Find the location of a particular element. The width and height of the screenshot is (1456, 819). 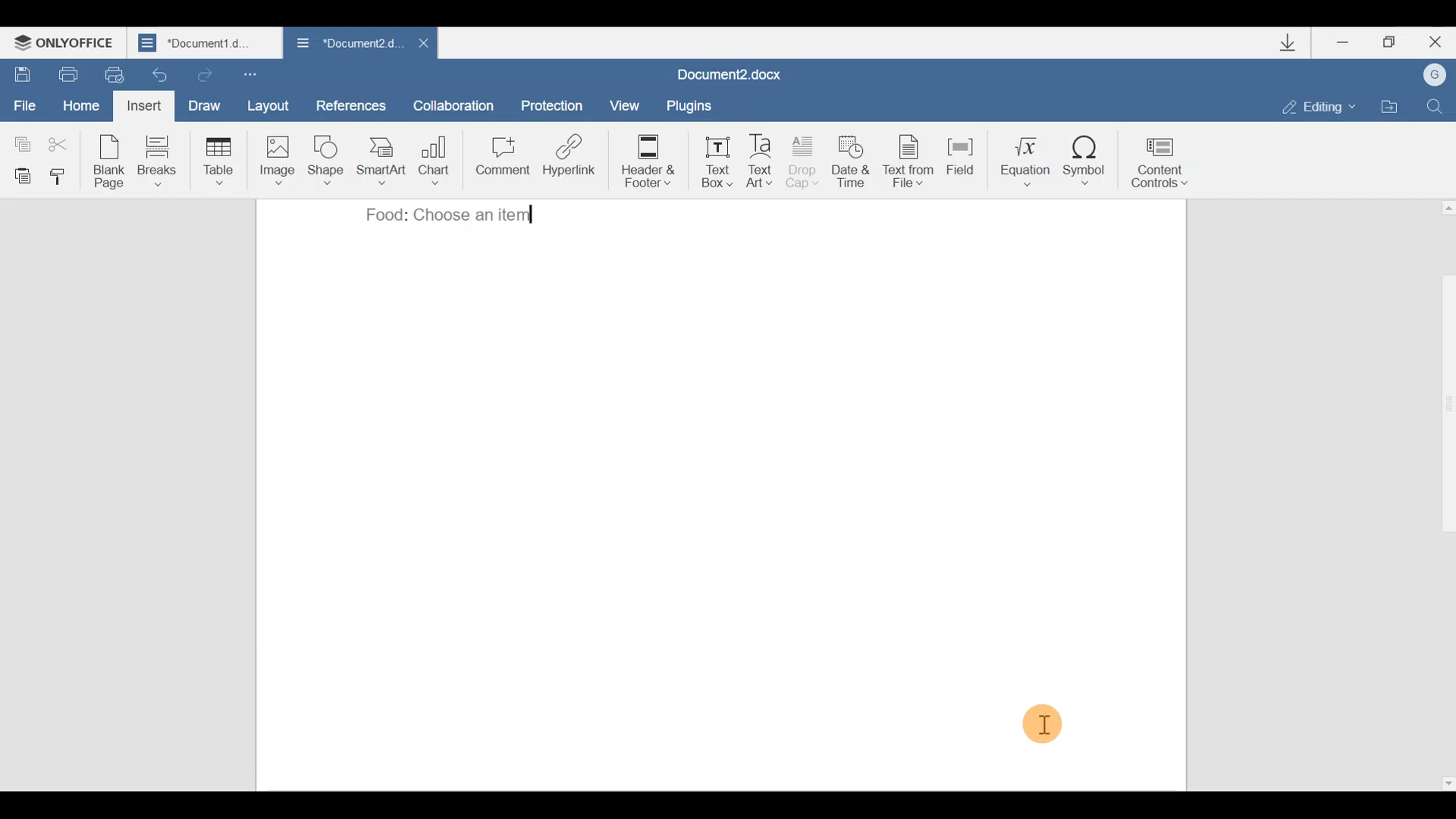

Text box is located at coordinates (713, 159).